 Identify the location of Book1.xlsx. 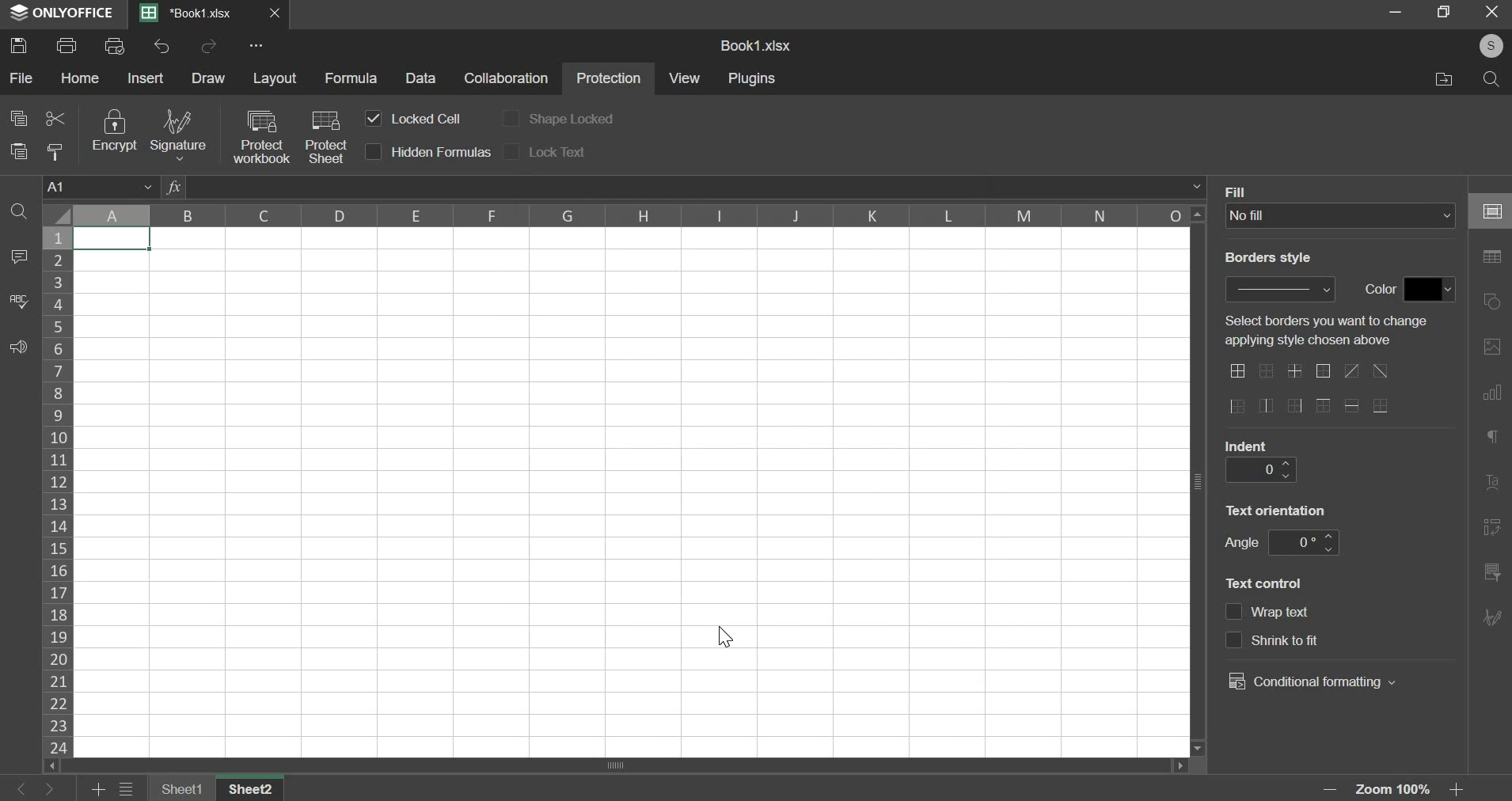
(192, 14).